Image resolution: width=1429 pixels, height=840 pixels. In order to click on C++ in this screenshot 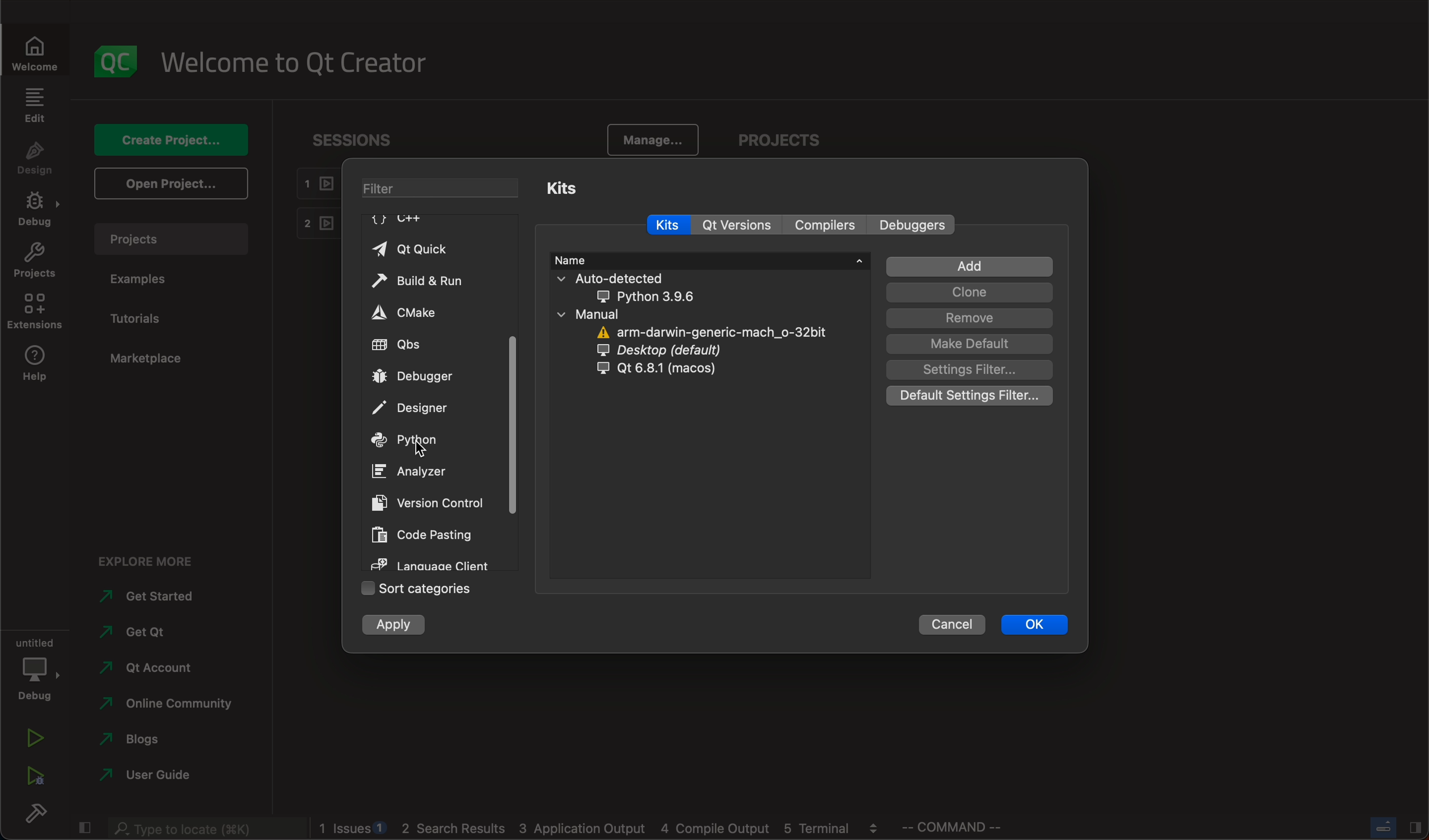, I will do `click(404, 219)`.